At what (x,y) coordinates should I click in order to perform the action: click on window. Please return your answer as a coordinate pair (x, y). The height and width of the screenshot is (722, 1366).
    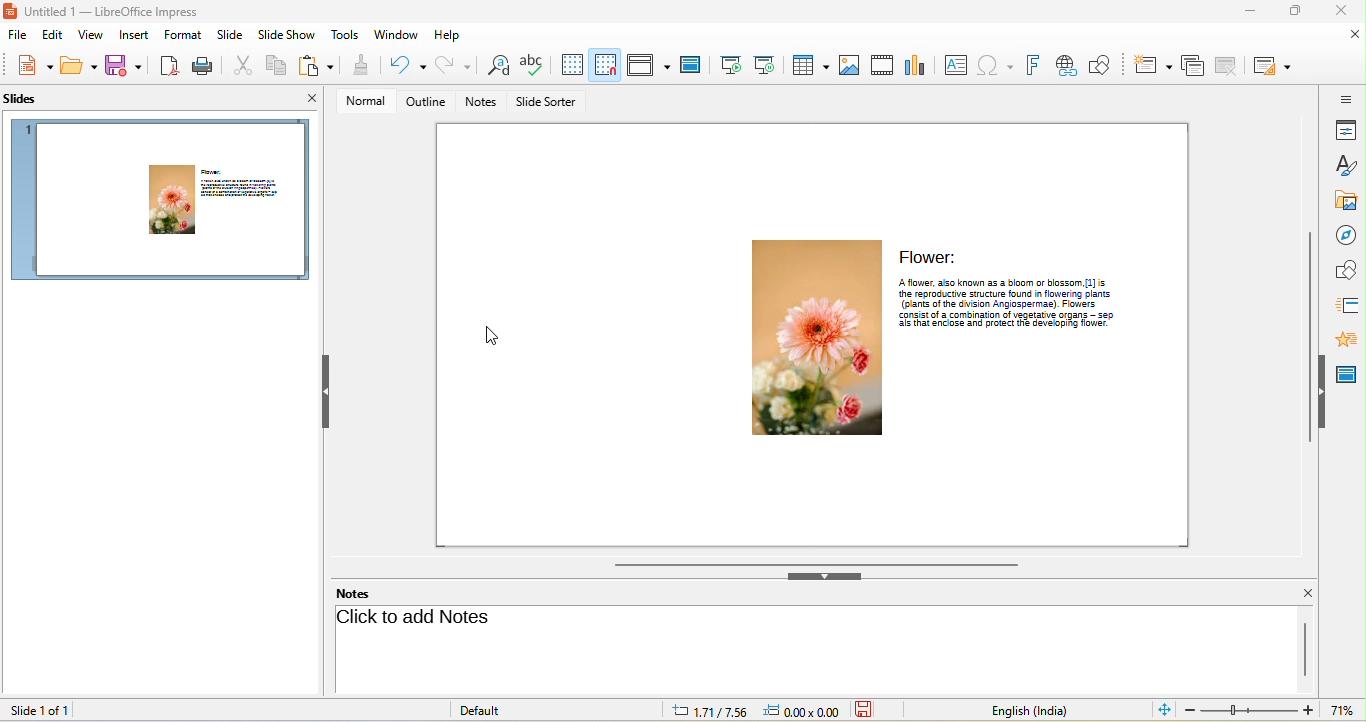
    Looking at the image, I should click on (397, 36).